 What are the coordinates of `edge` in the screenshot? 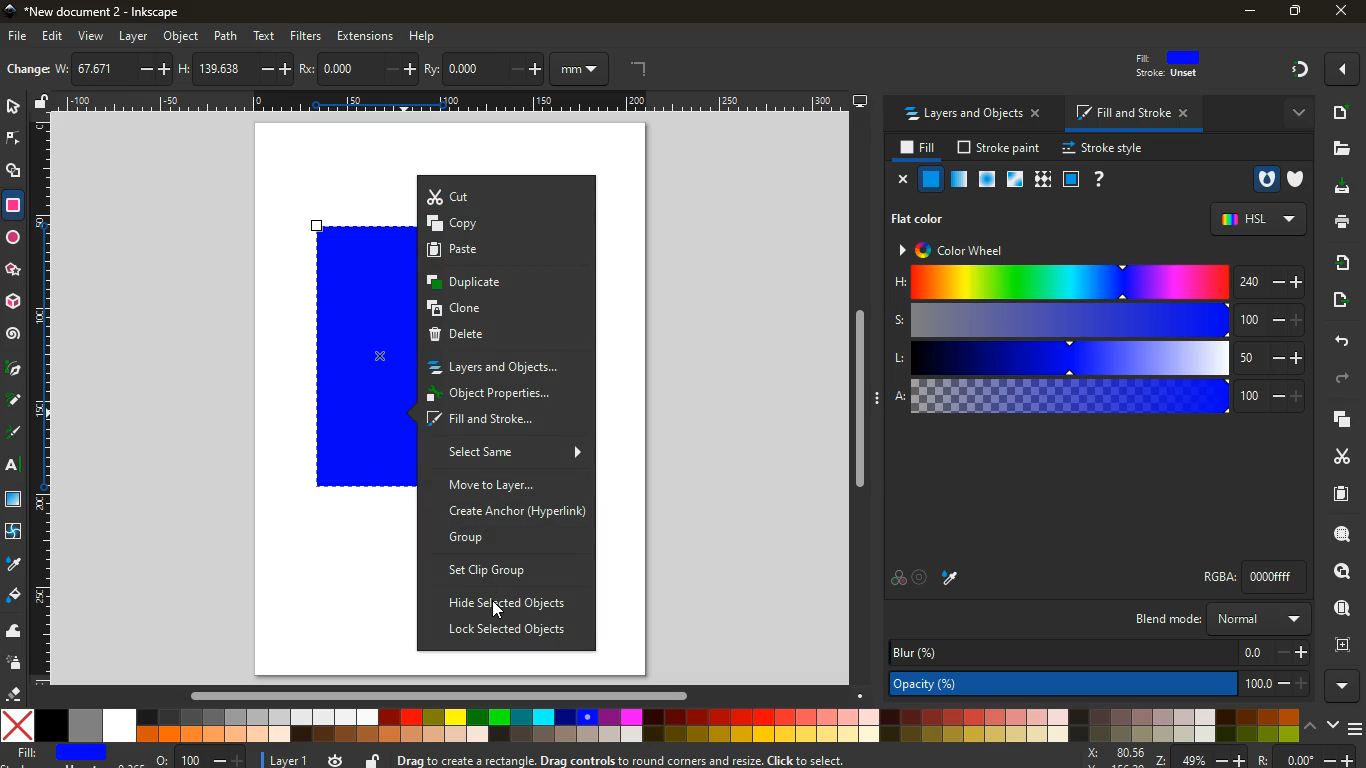 It's located at (14, 142).